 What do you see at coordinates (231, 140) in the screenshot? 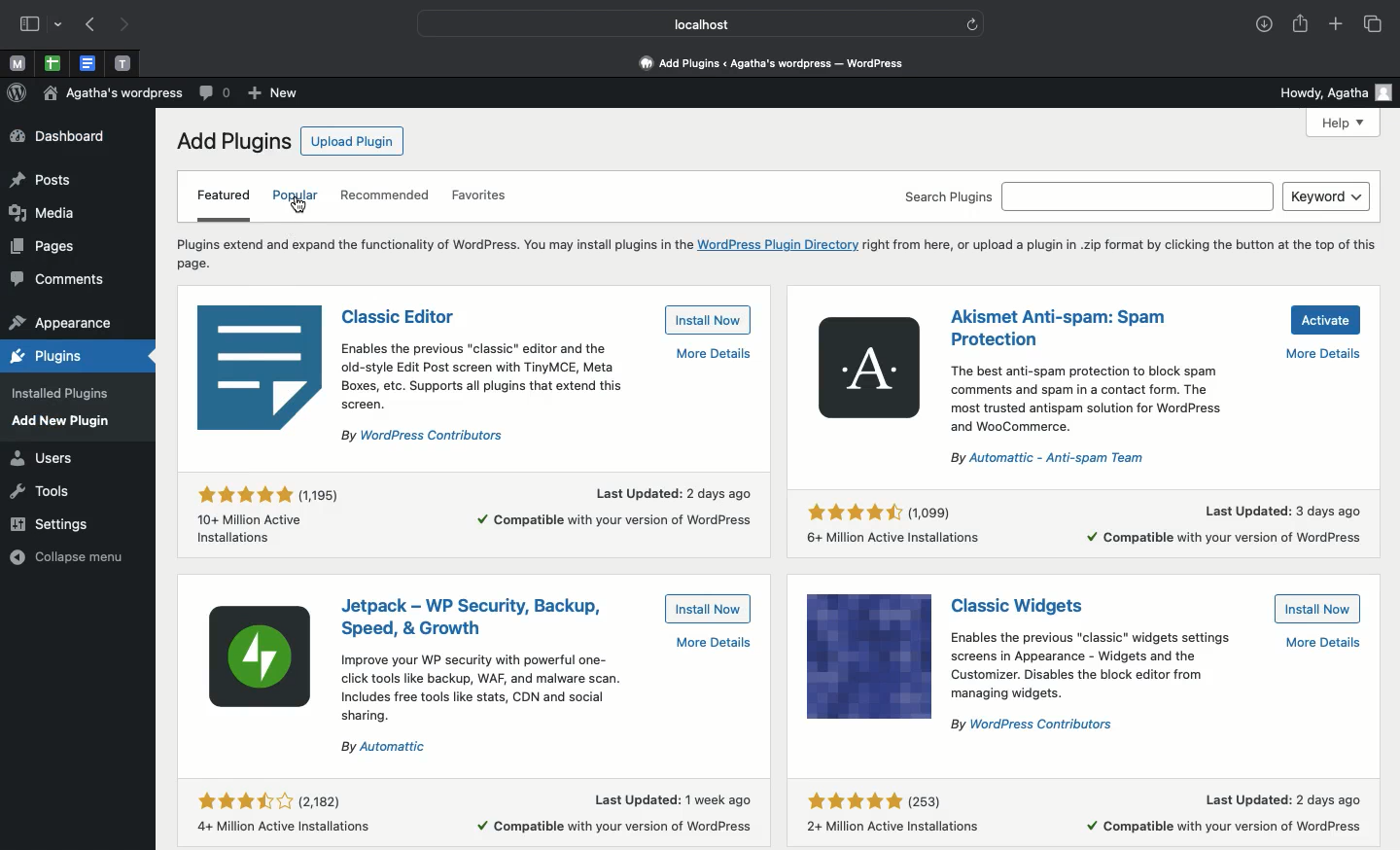
I see `Add plugins` at bounding box center [231, 140].